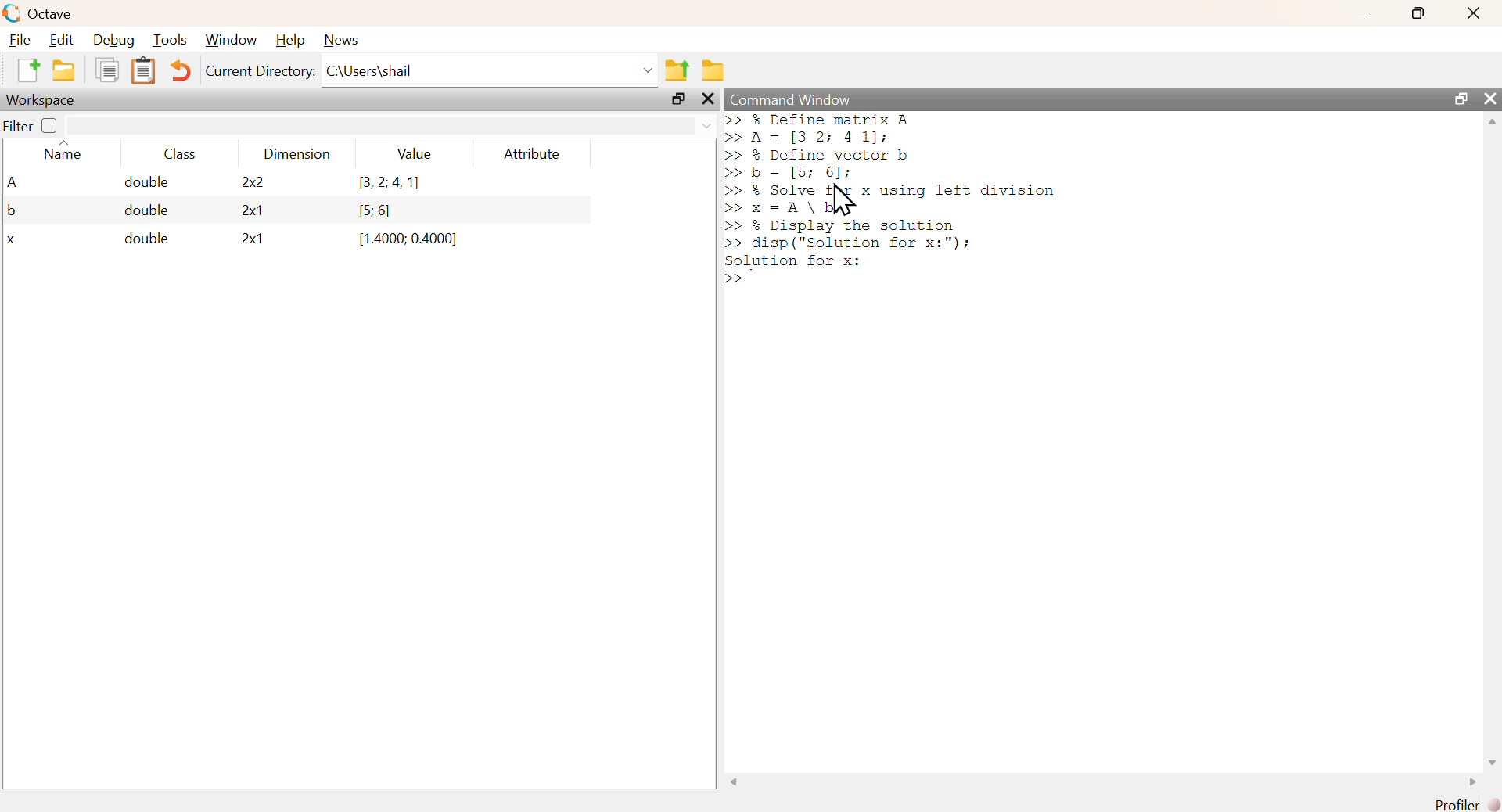 This screenshot has width=1502, height=812. Describe the element at coordinates (43, 100) in the screenshot. I see `workspace` at that location.